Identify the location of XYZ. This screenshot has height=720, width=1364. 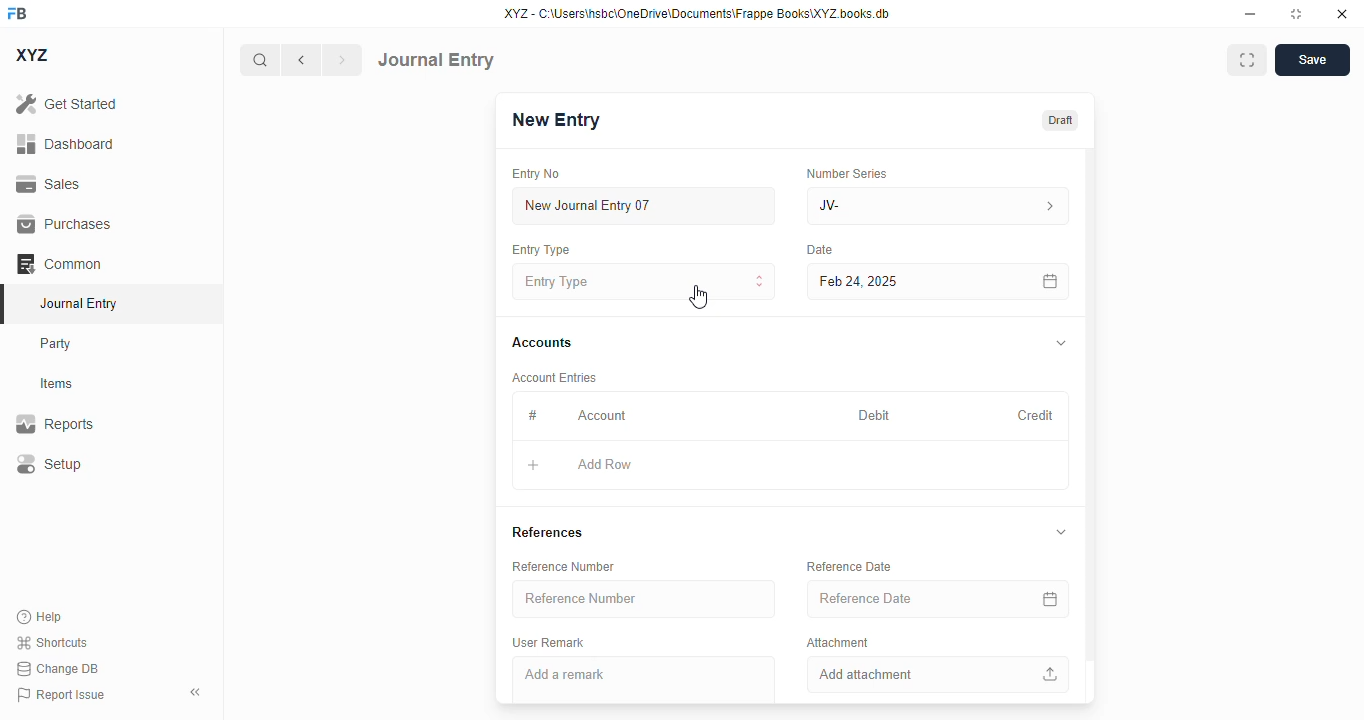
(31, 55).